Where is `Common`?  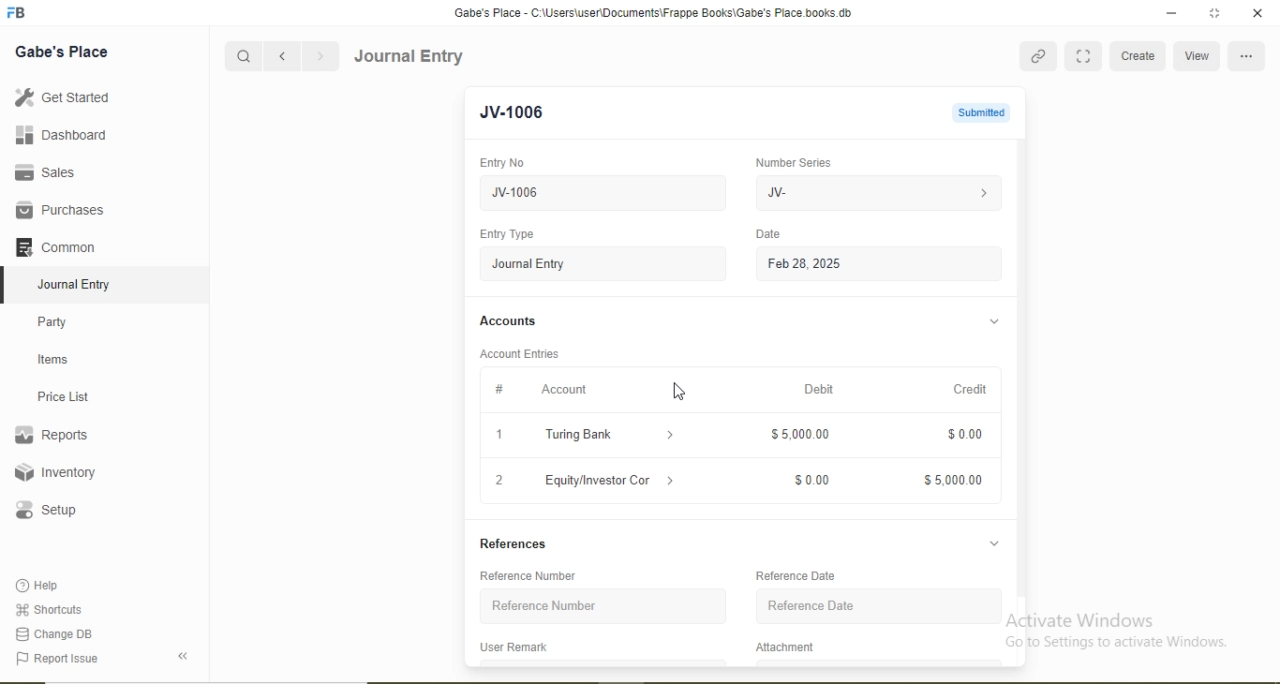 Common is located at coordinates (54, 246).